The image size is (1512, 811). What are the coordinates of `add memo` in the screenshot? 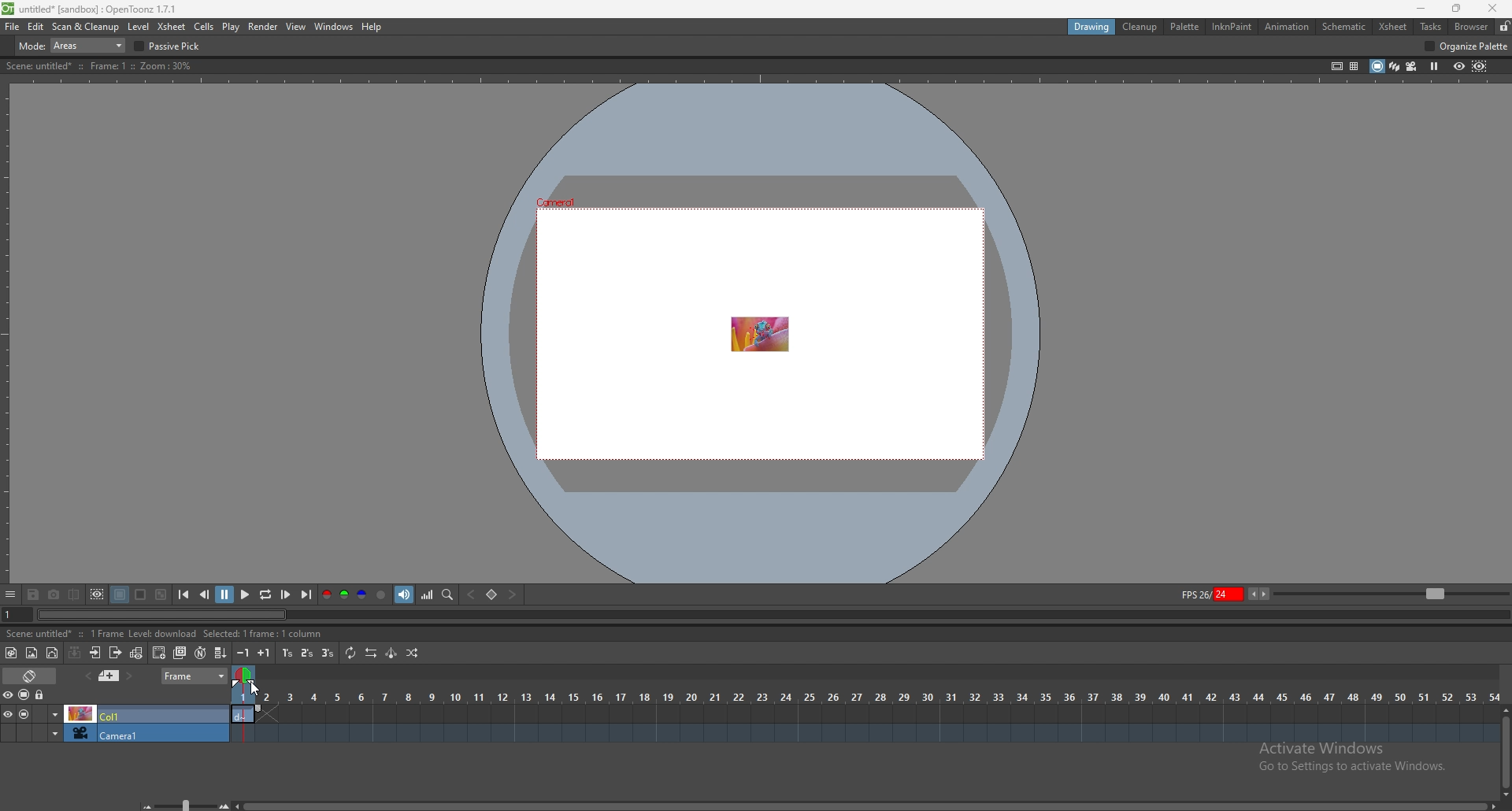 It's located at (87, 676).